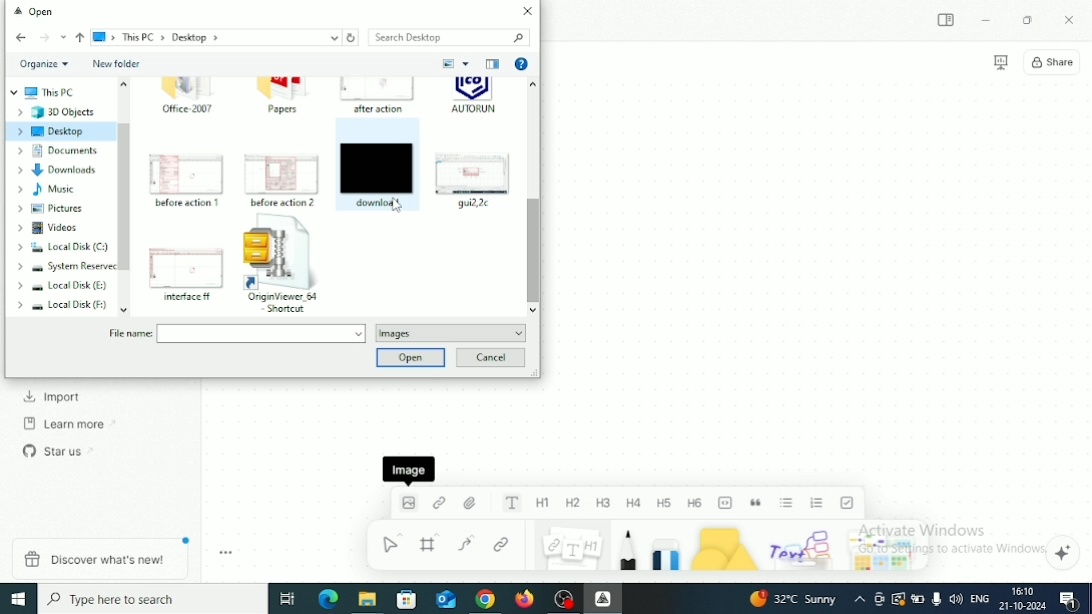 The width and height of the screenshot is (1092, 614). What do you see at coordinates (45, 64) in the screenshot?
I see `Organize` at bounding box center [45, 64].